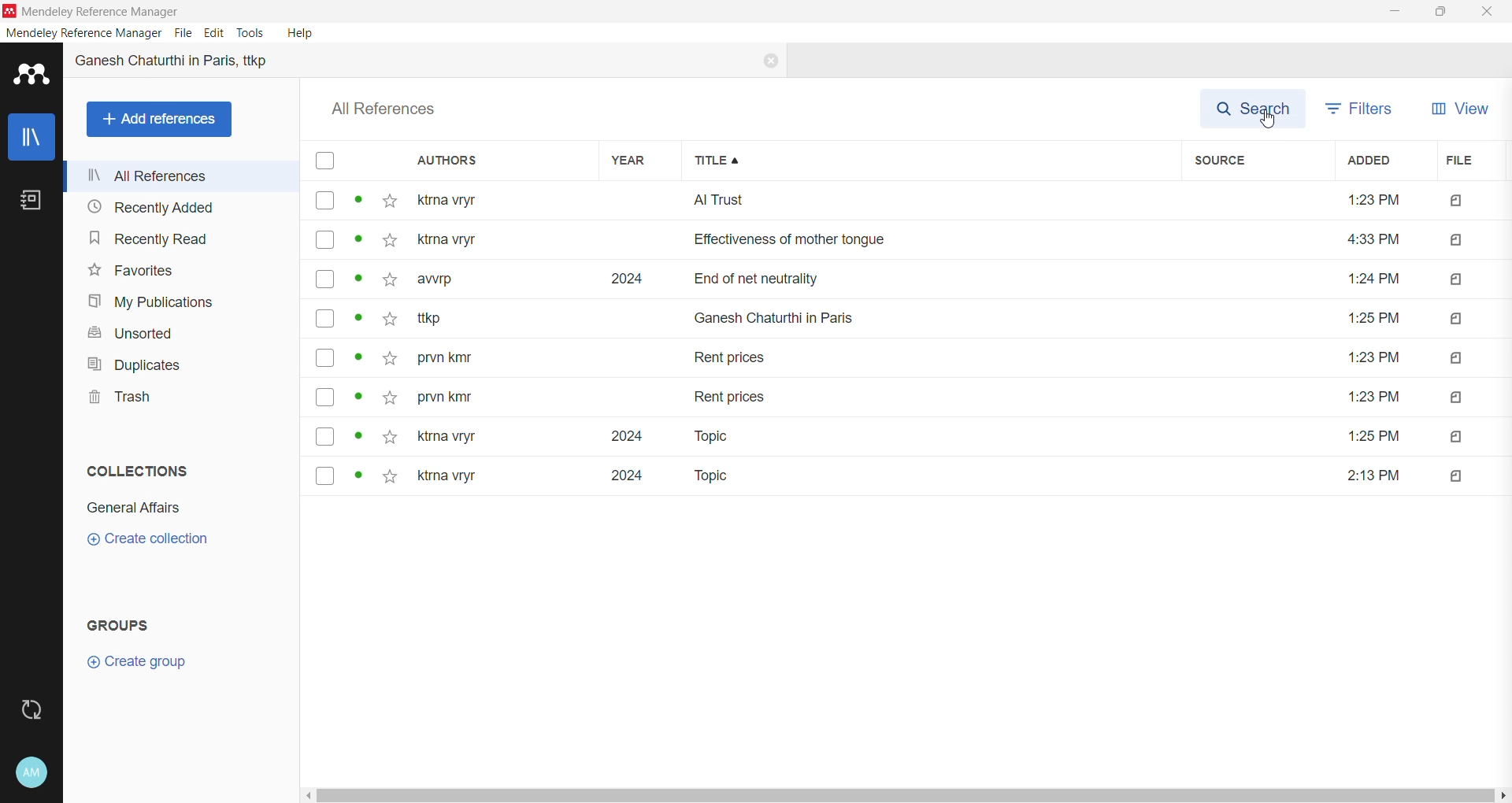  What do you see at coordinates (911, 398) in the screenshot?
I see `prvn kmr Rent prices 1:23 PM` at bounding box center [911, 398].